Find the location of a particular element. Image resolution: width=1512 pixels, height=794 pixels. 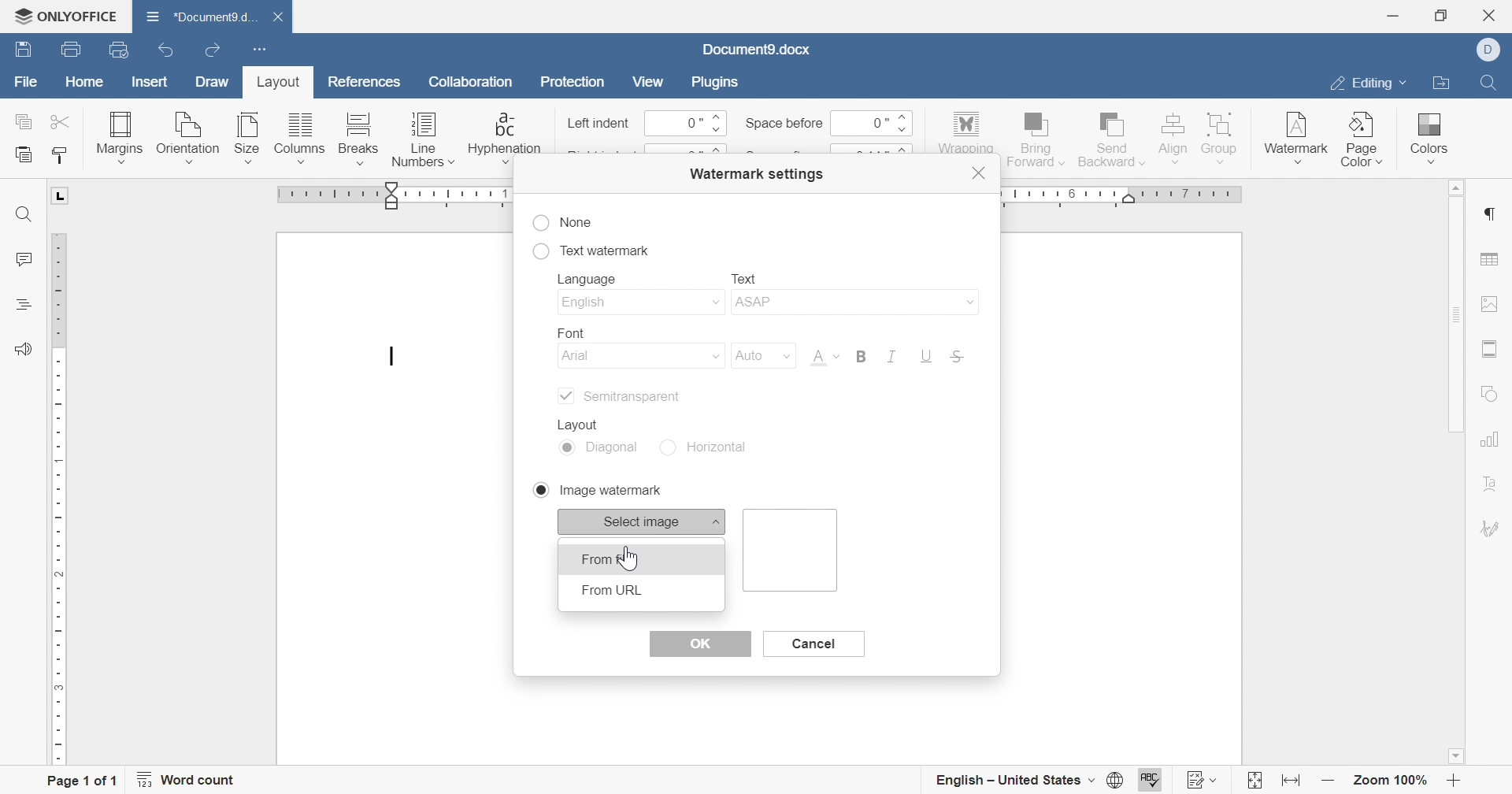

feedback and support is located at coordinates (23, 350).